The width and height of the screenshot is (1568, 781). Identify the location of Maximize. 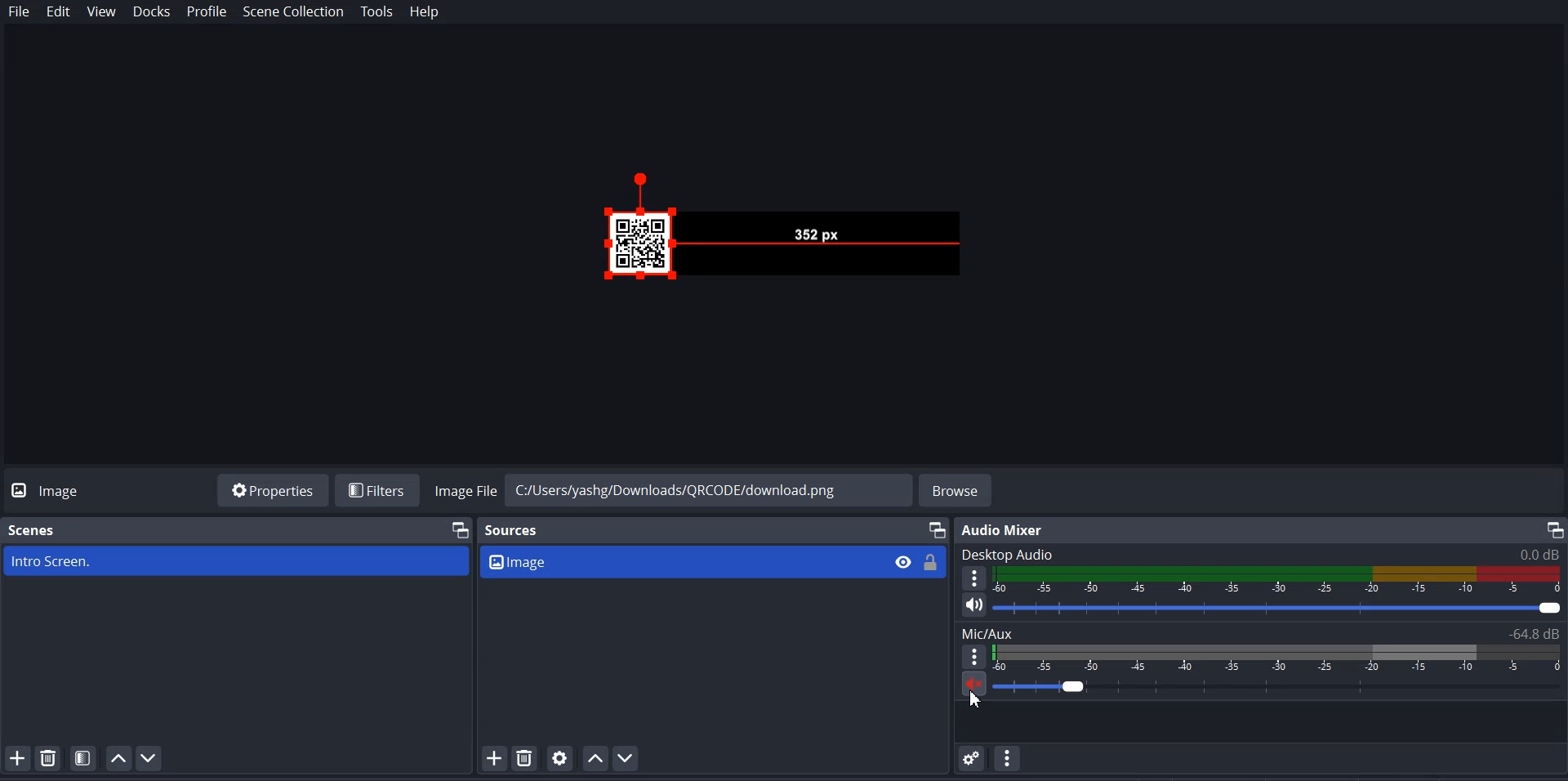
(461, 529).